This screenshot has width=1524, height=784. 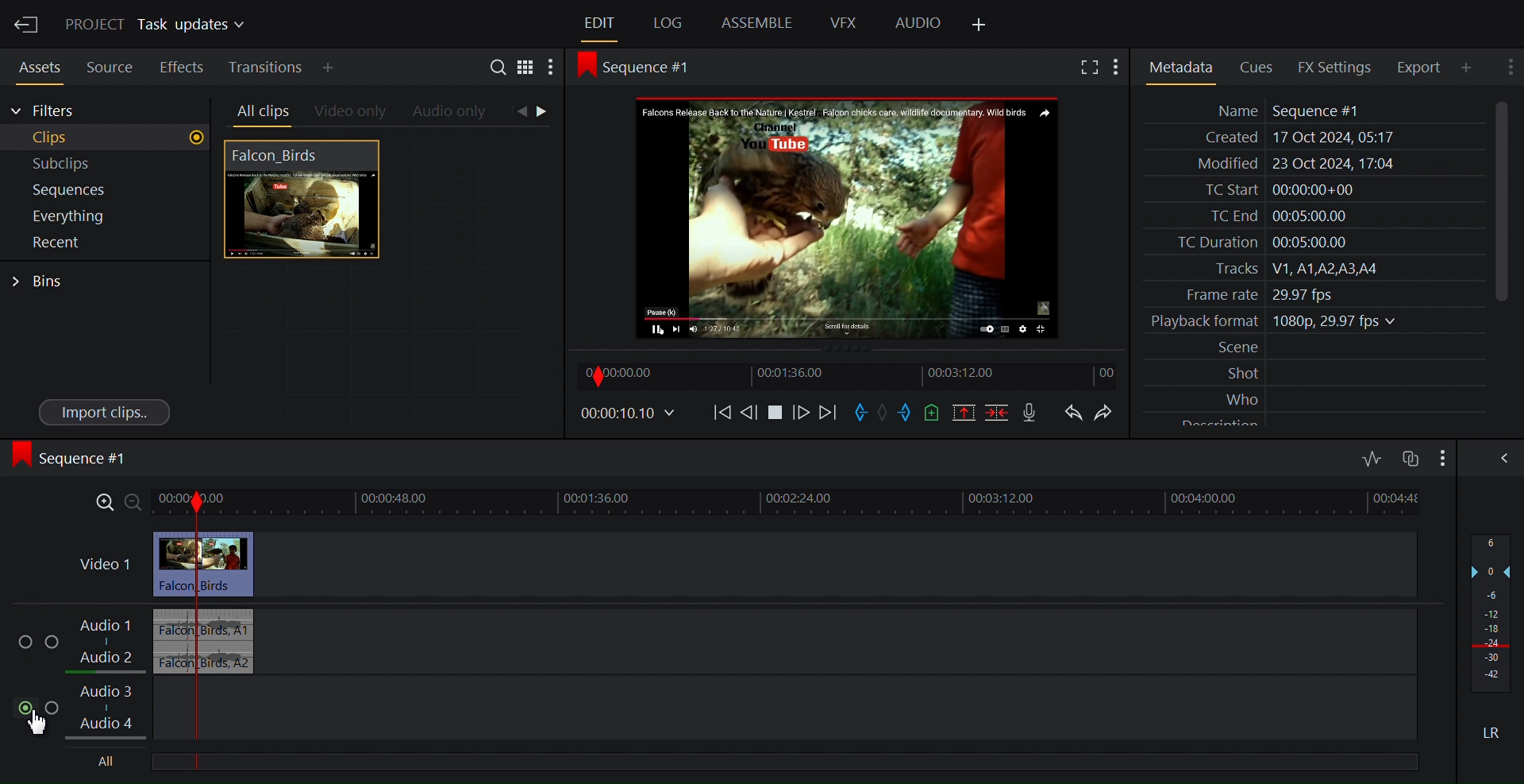 What do you see at coordinates (1508, 66) in the screenshot?
I see `Show settings menu` at bounding box center [1508, 66].